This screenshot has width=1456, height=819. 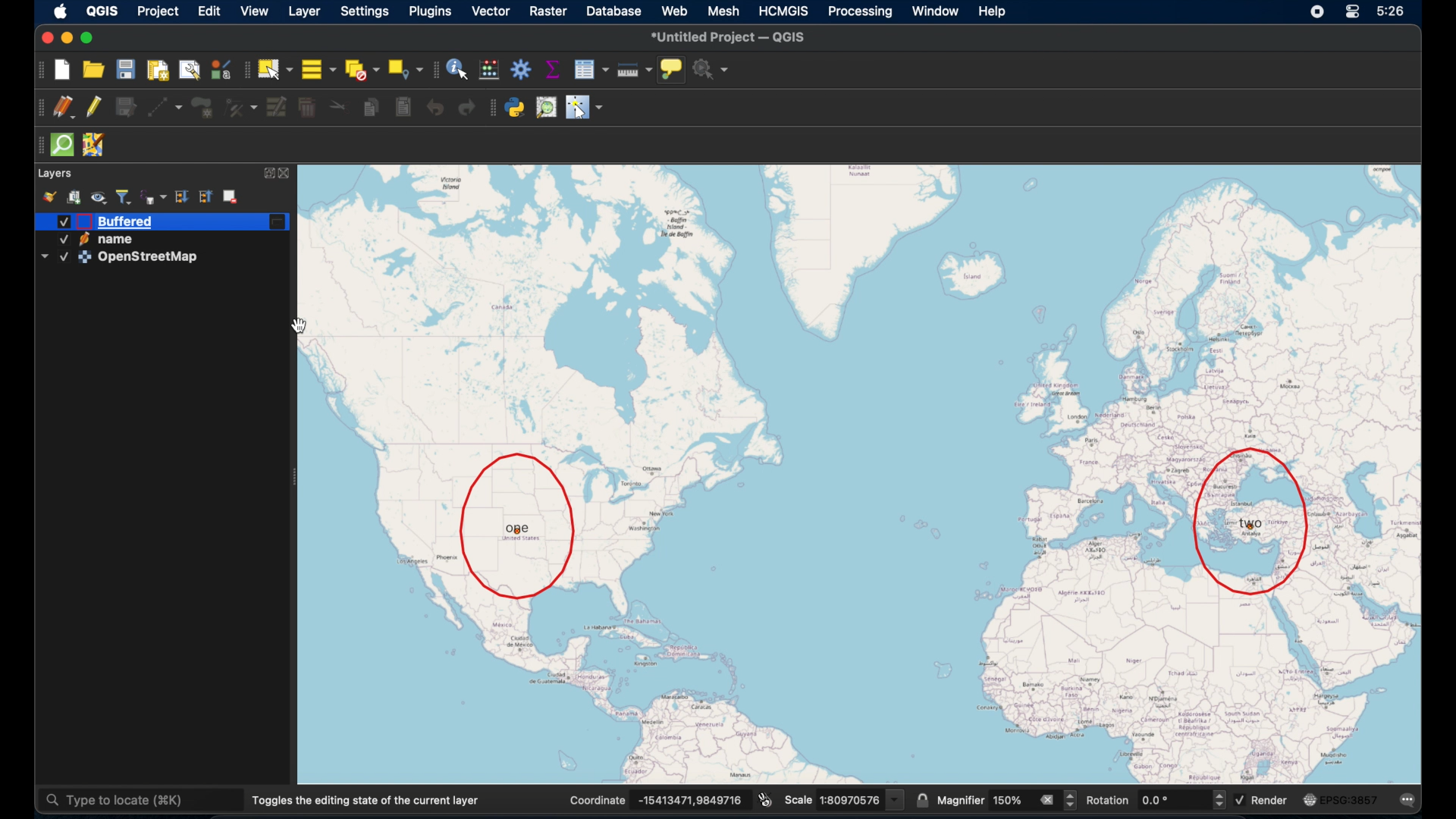 What do you see at coordinates (466, 108) in the screenshot?
I see `redo` at bounding box center [466, 108].